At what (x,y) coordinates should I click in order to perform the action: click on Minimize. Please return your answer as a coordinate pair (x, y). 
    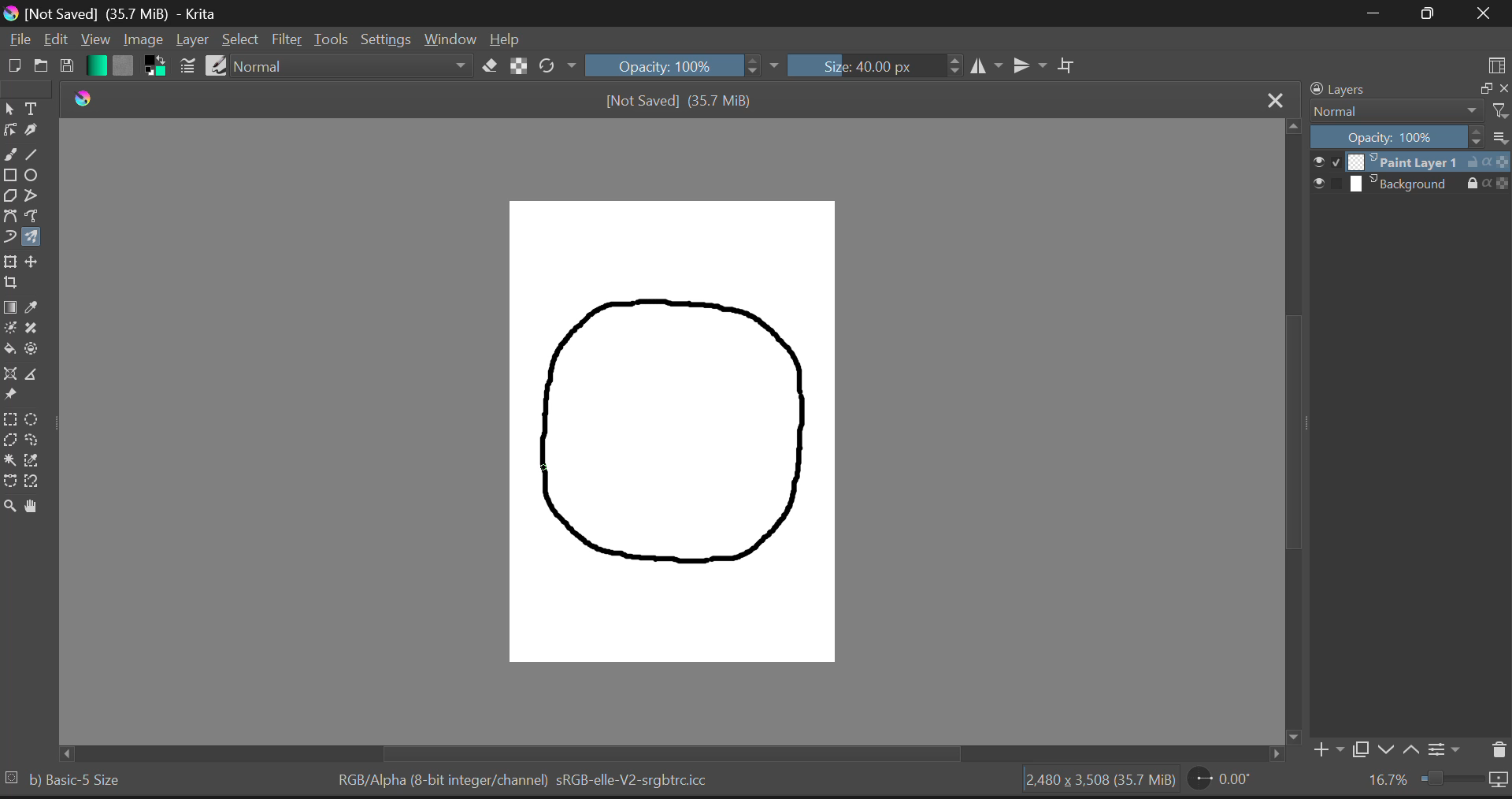
    Looking at the image, I should click on (1432, 13).